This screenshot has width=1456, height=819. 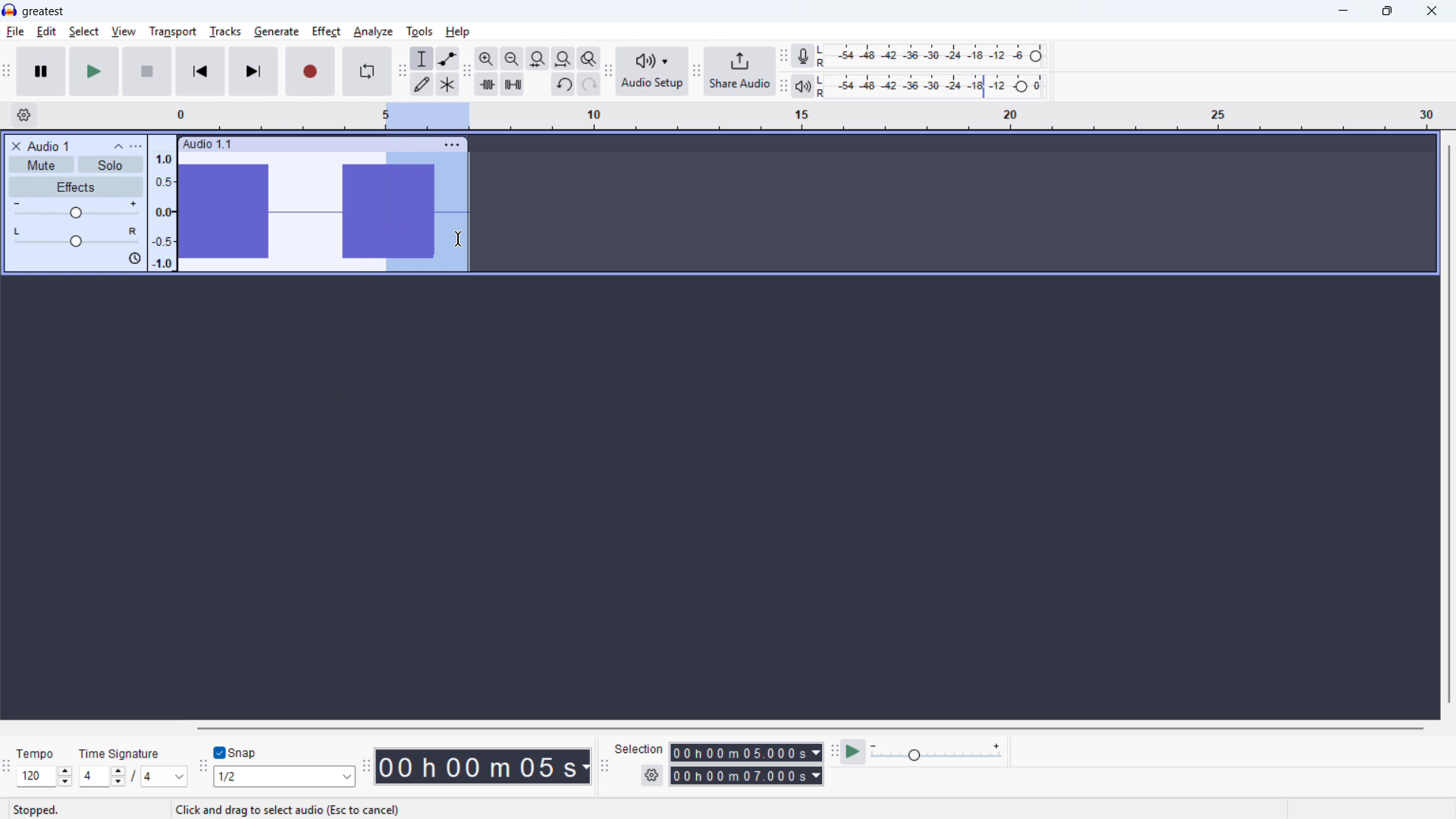 What do you see at coordinates (457, 240) in the screenshot?
I see `Cursor ` at bounding box center [457, 240].